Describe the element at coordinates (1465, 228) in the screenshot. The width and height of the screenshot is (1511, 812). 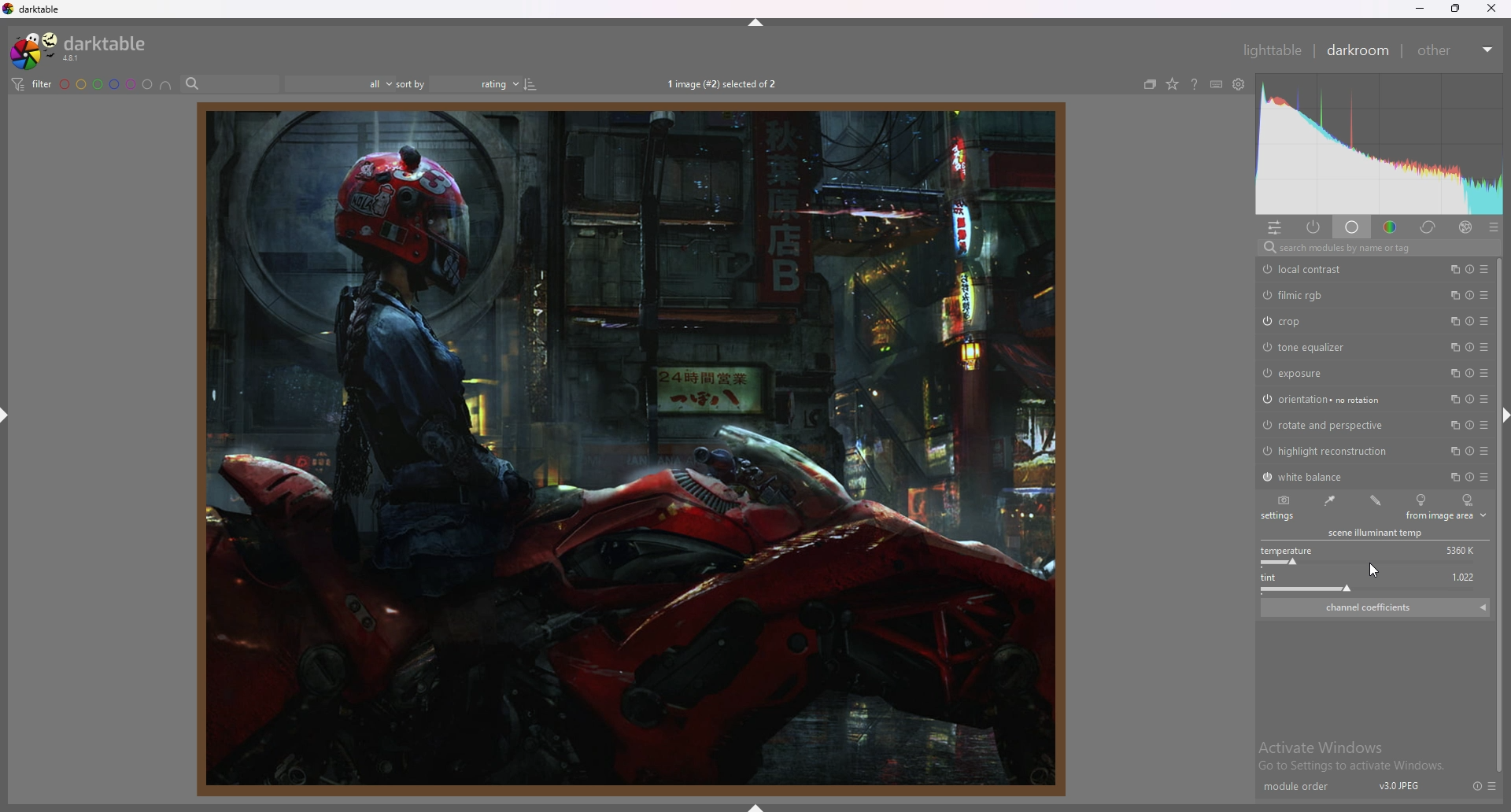
I see `effect` at that location.